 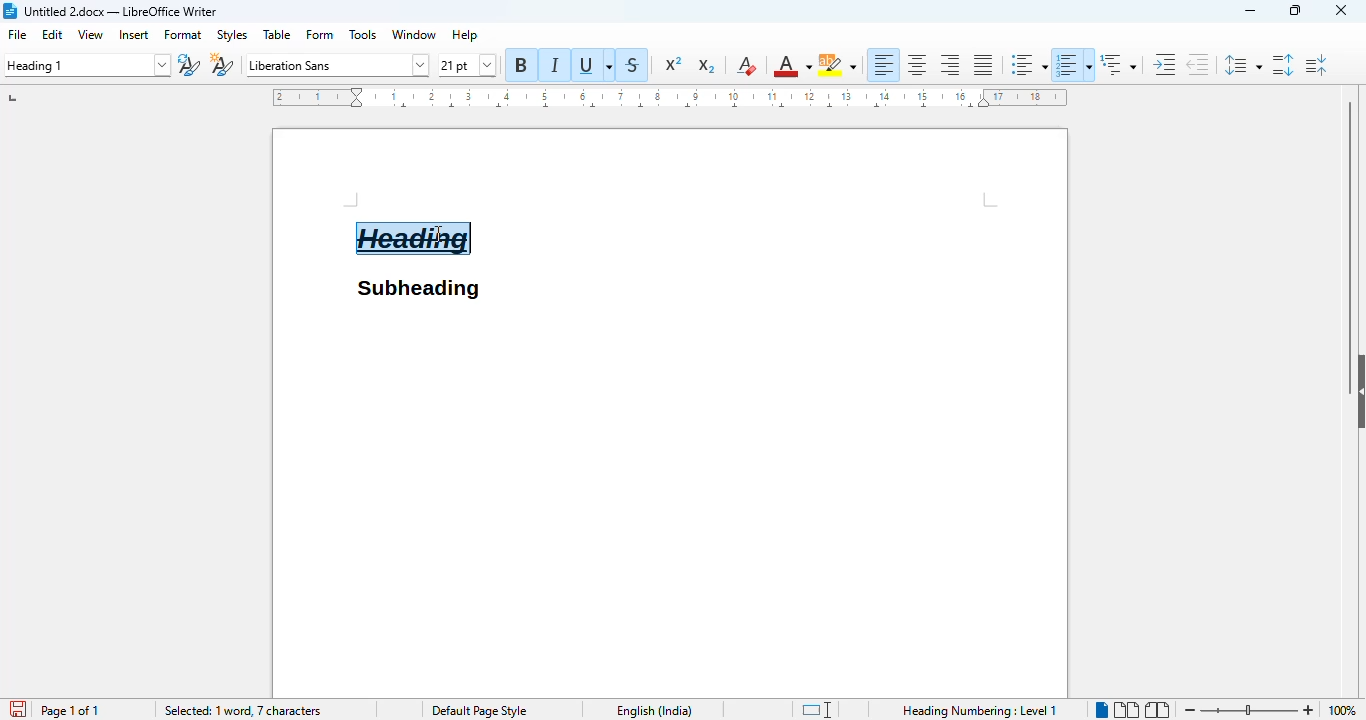 What do you see at coordinates (1165, 64) in the screenshot?
I see `increase indent` at bounding box center [1165, 64].